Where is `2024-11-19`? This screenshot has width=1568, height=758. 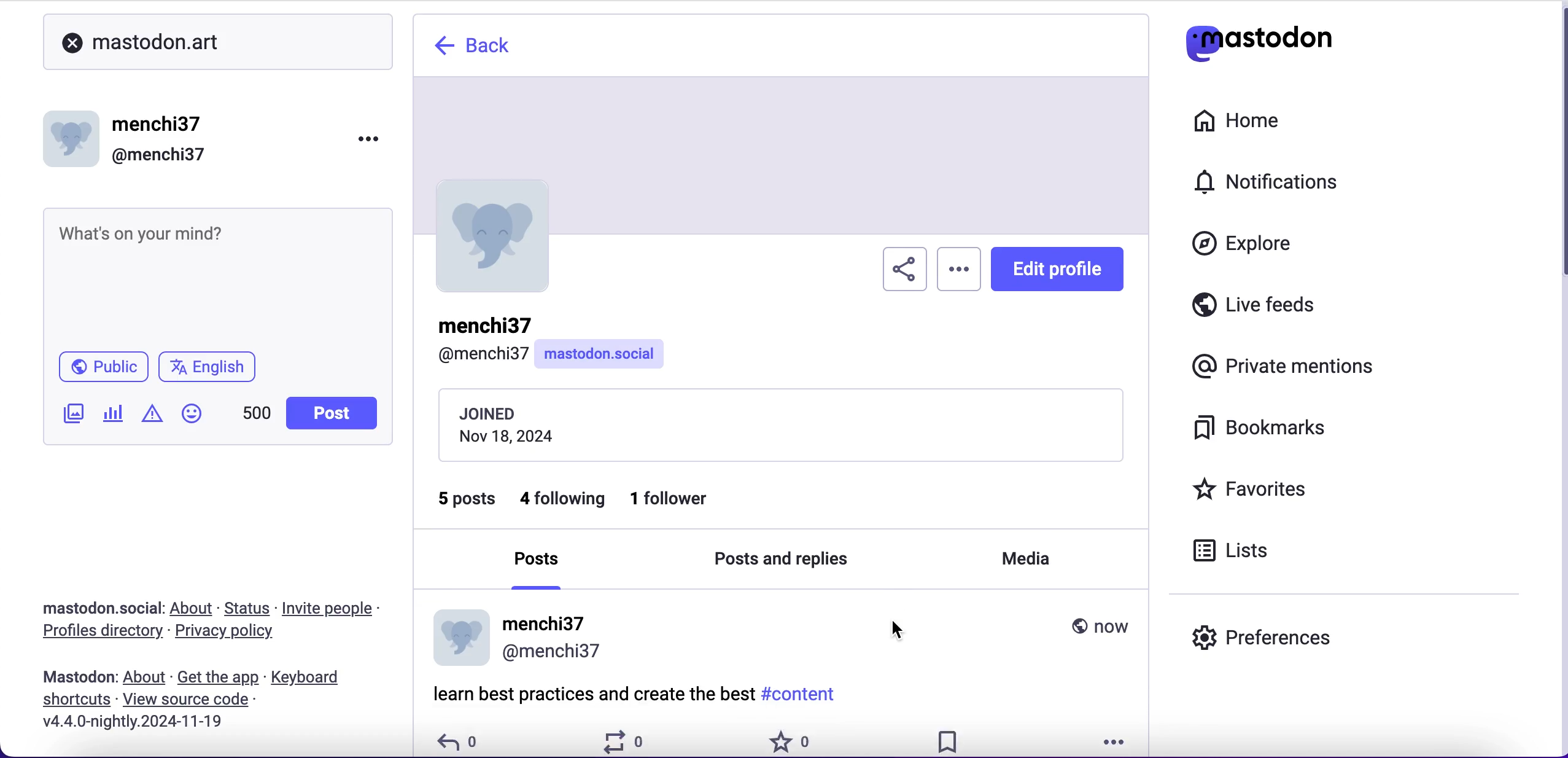 2024-11-19 is located at coordinates (166, 724).